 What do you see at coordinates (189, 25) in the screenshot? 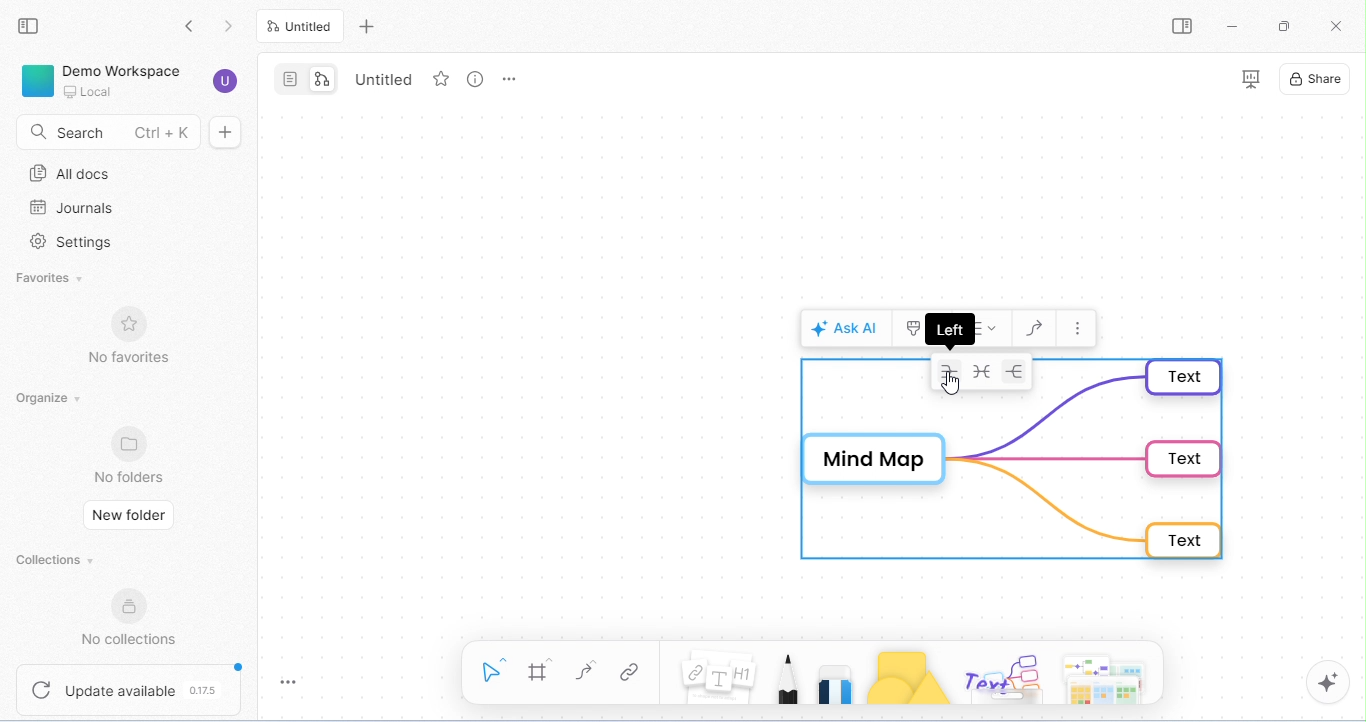
I see `go back` at bounding box center [189, 25].